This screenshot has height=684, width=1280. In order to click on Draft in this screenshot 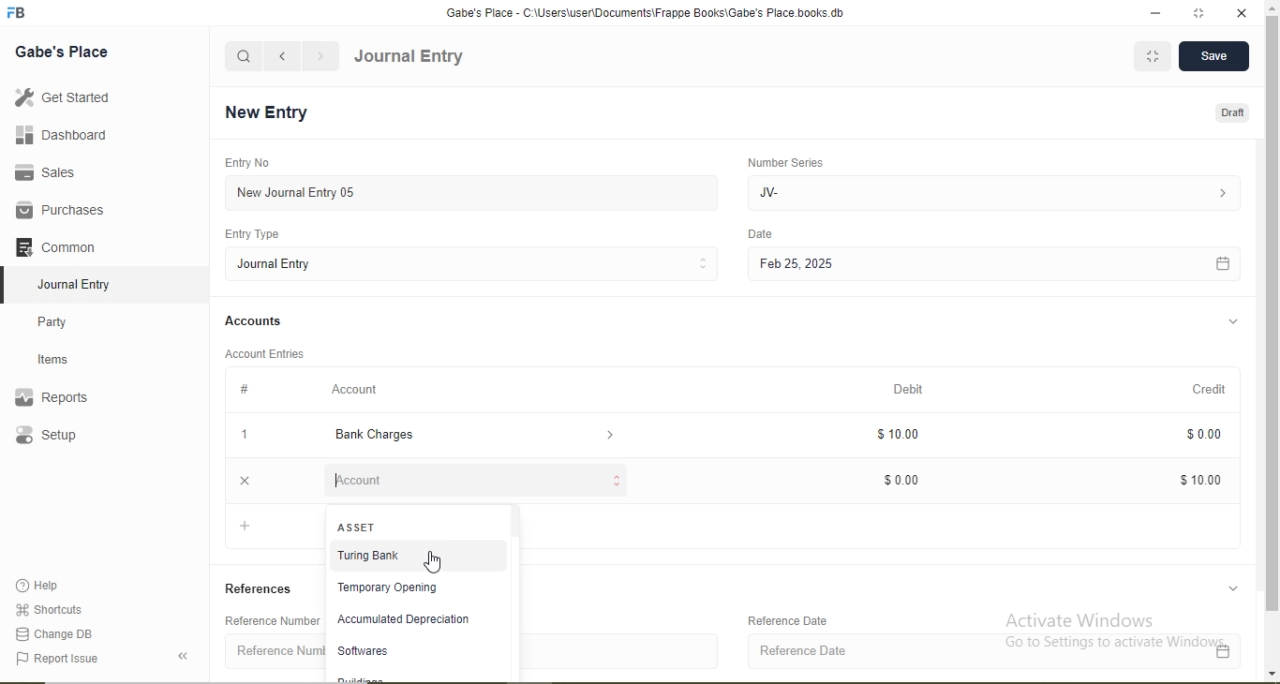, I will do `click(1234, 116)`.